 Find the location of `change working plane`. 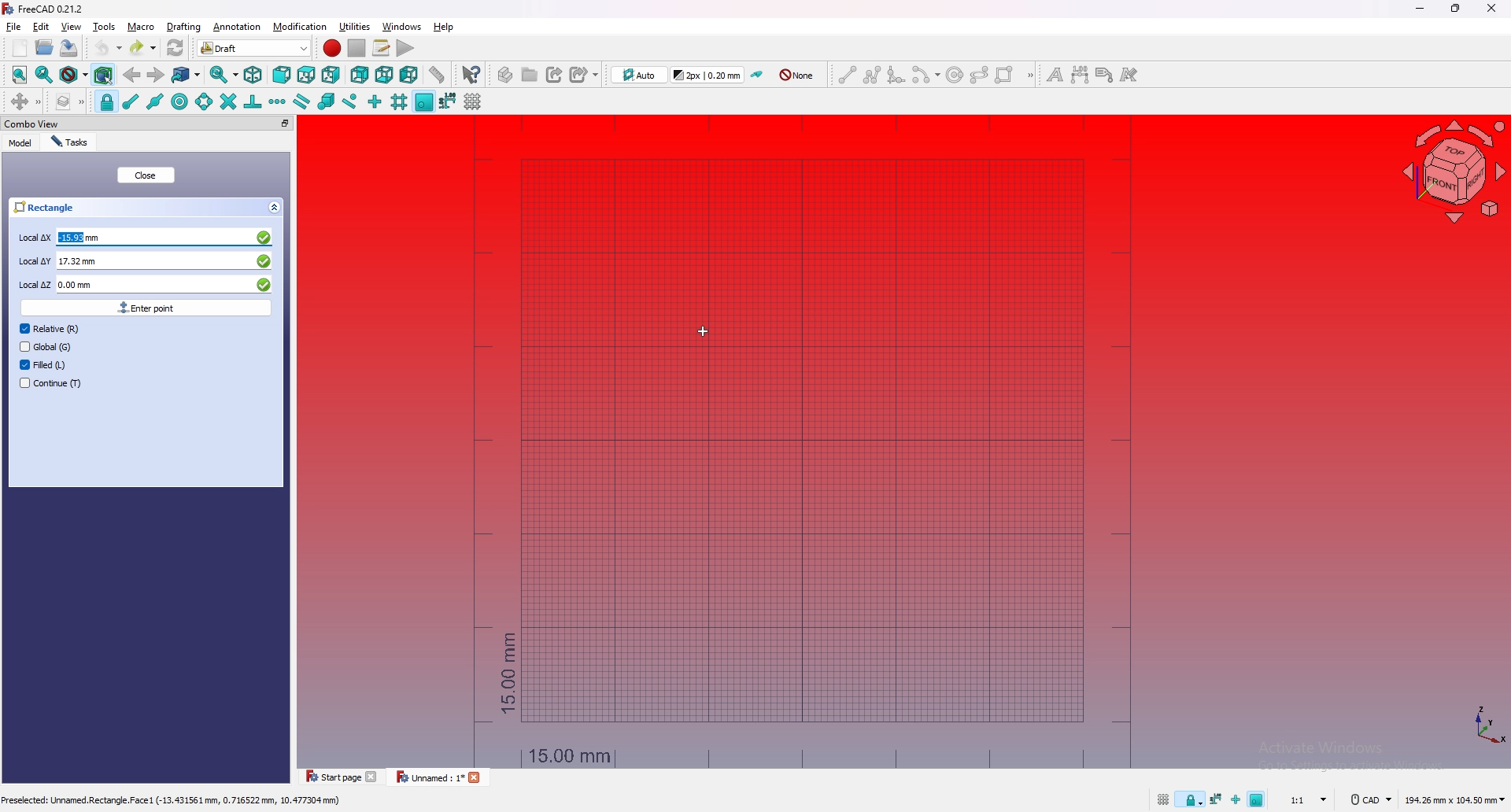

change working plane is located at coordinates (639, 74).